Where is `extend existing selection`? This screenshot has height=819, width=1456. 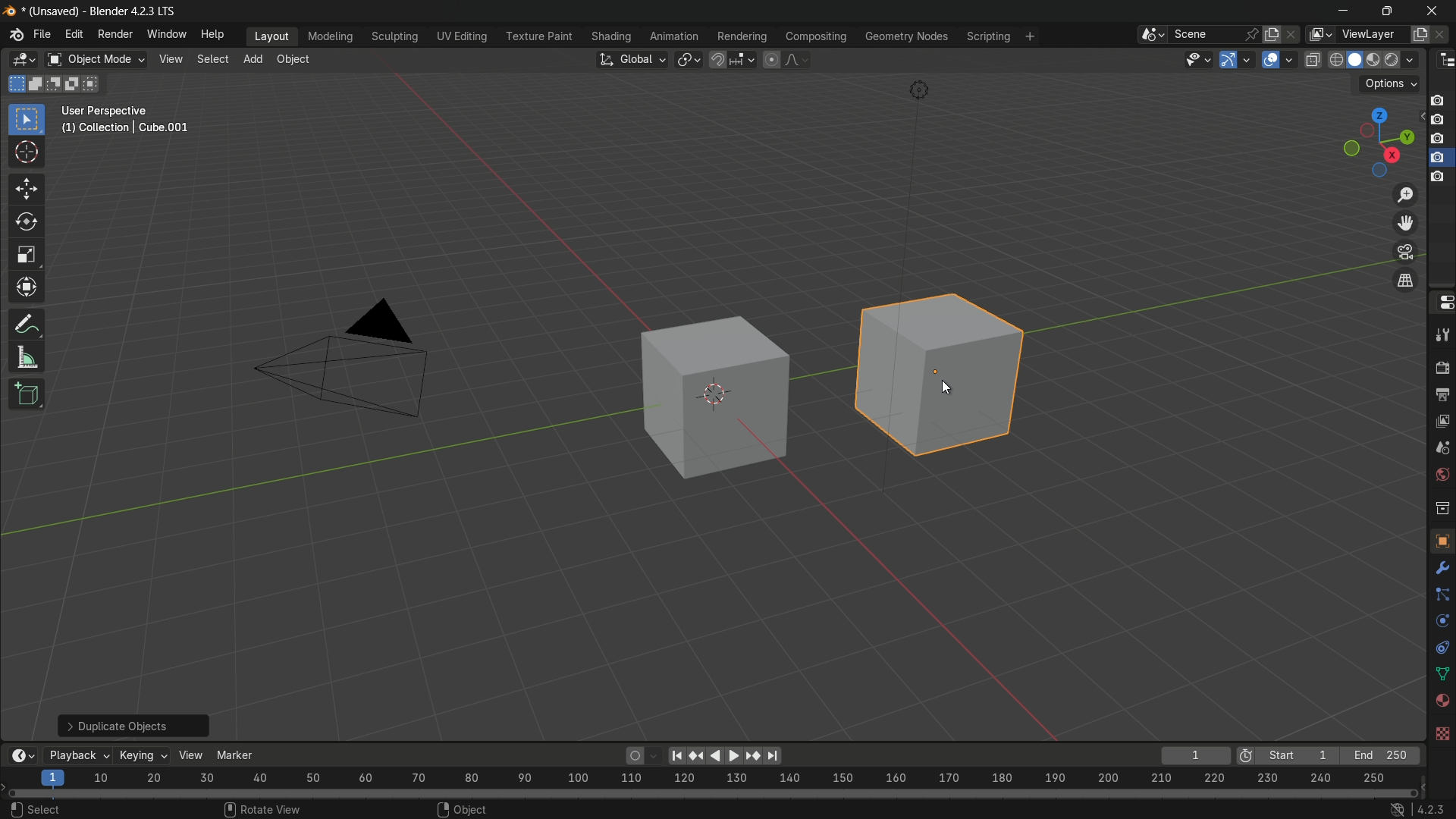 extend existing selection is located at coordinates (37, 85).